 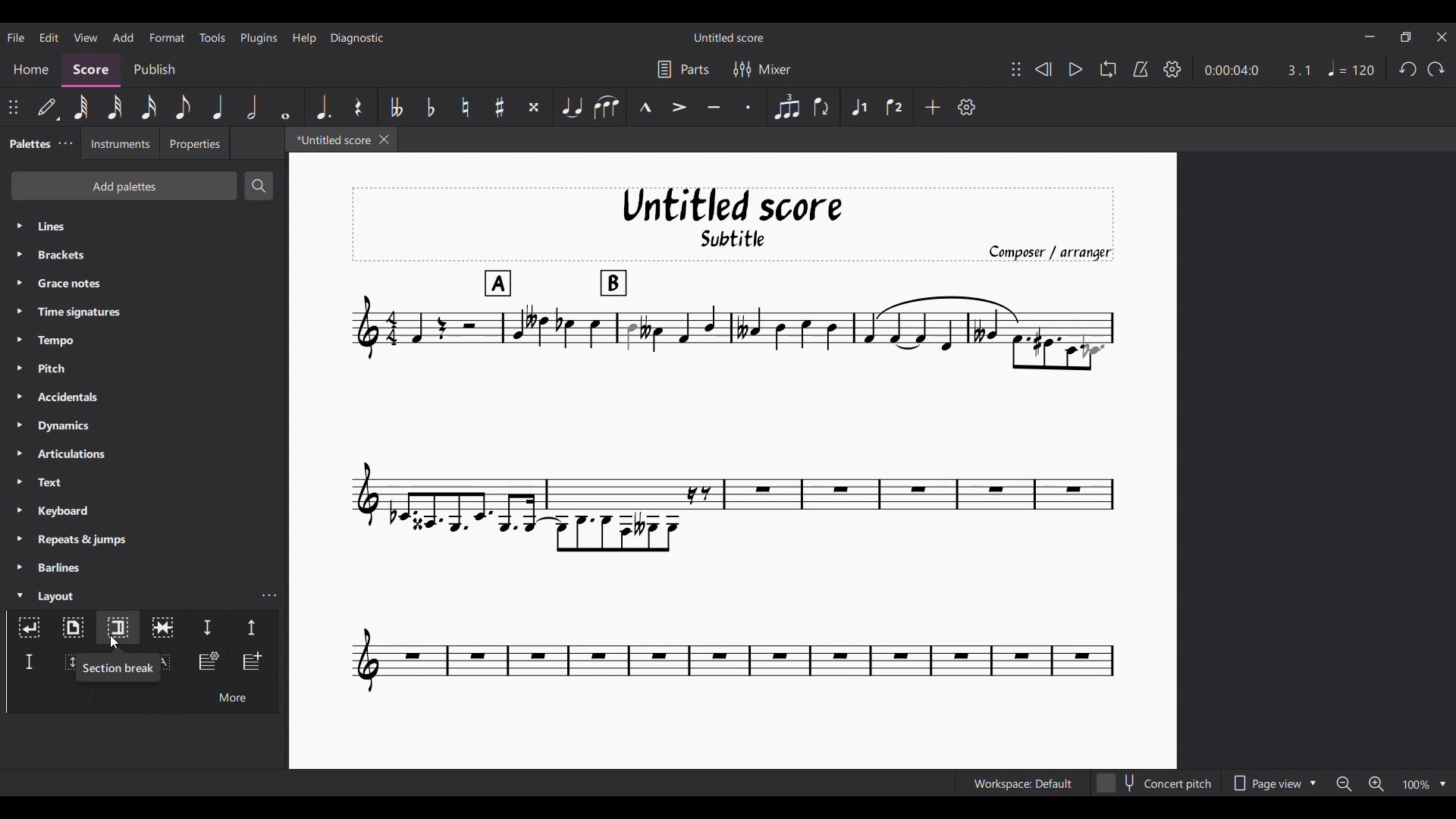 I want to click on Diagnostic menu, so click(x=358, y=38).